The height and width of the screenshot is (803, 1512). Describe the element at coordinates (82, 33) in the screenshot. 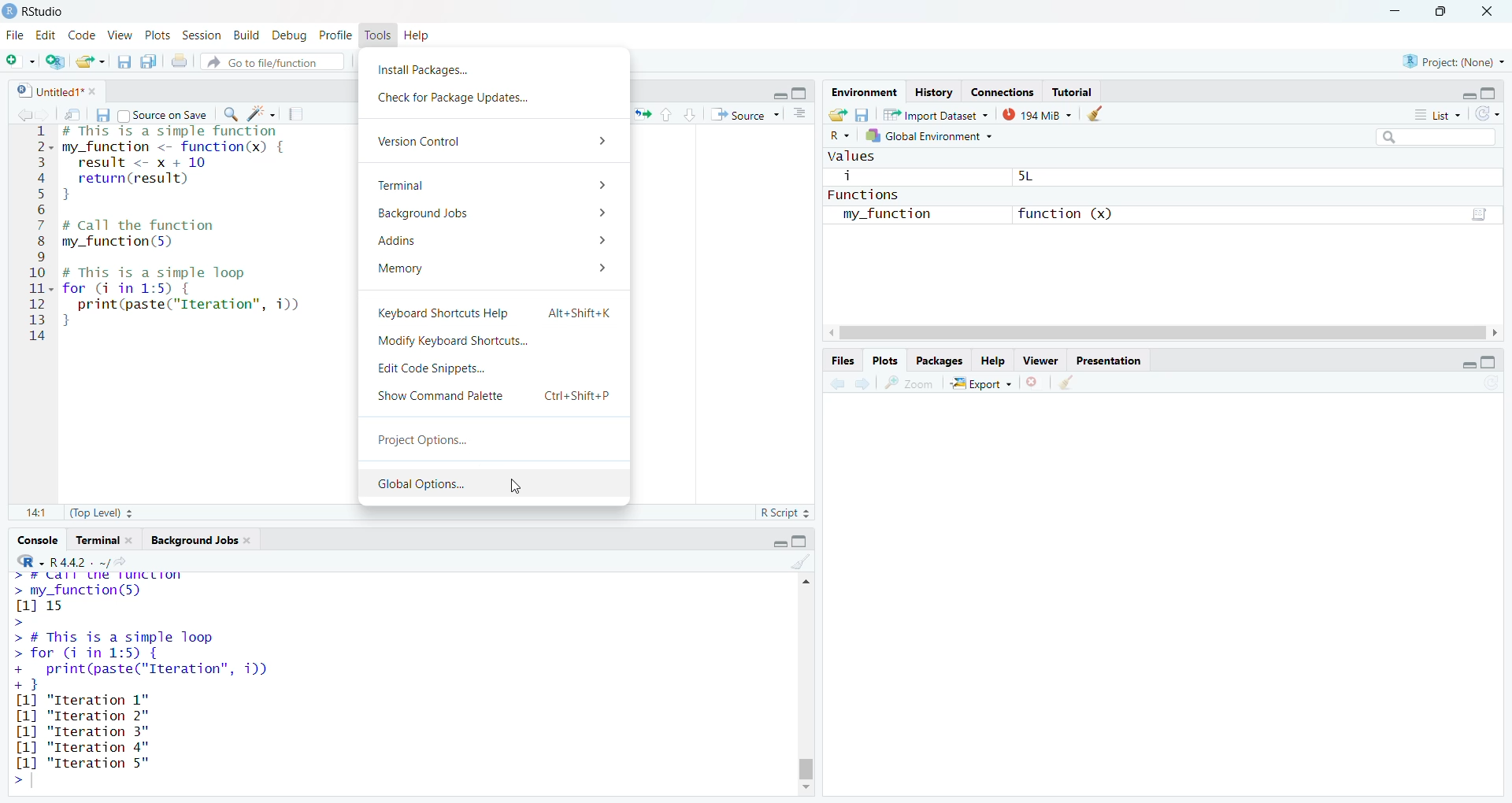

I see `code` at that location.